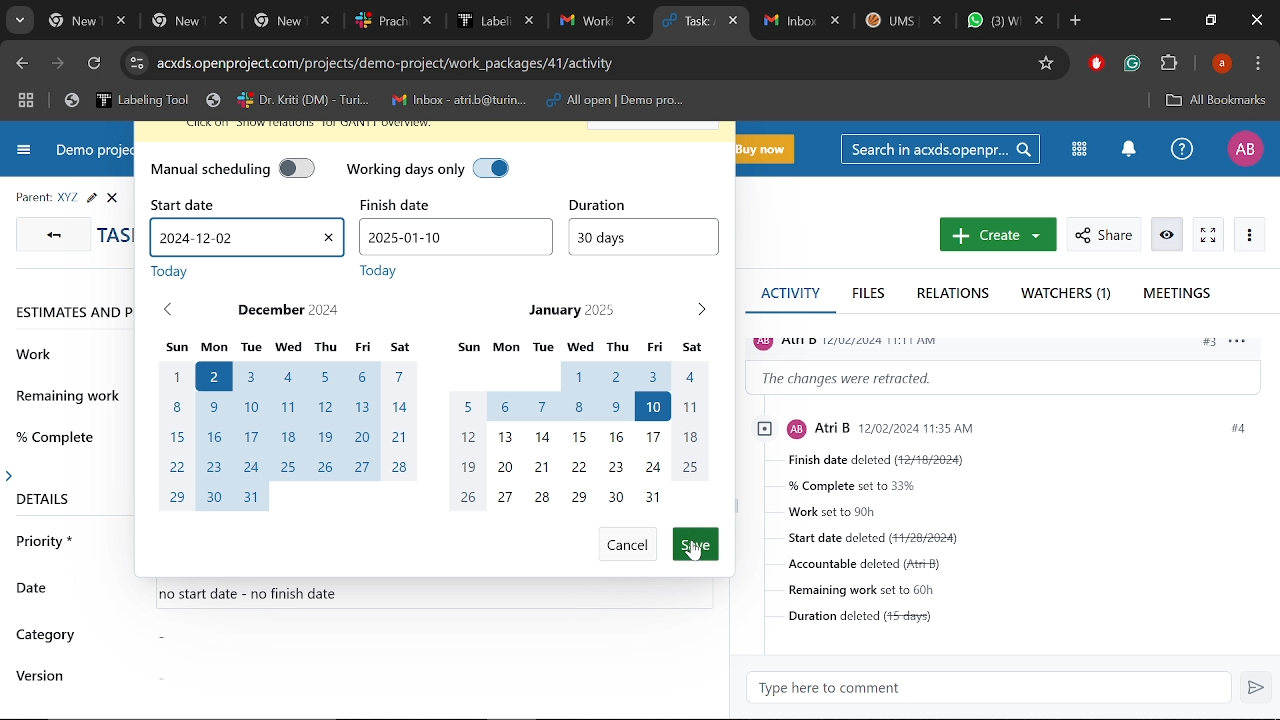 This screenshot has height=720, width=1280. Describe the element at coordinates (644, 237) in the screenshot. I see `Duration` at that location.